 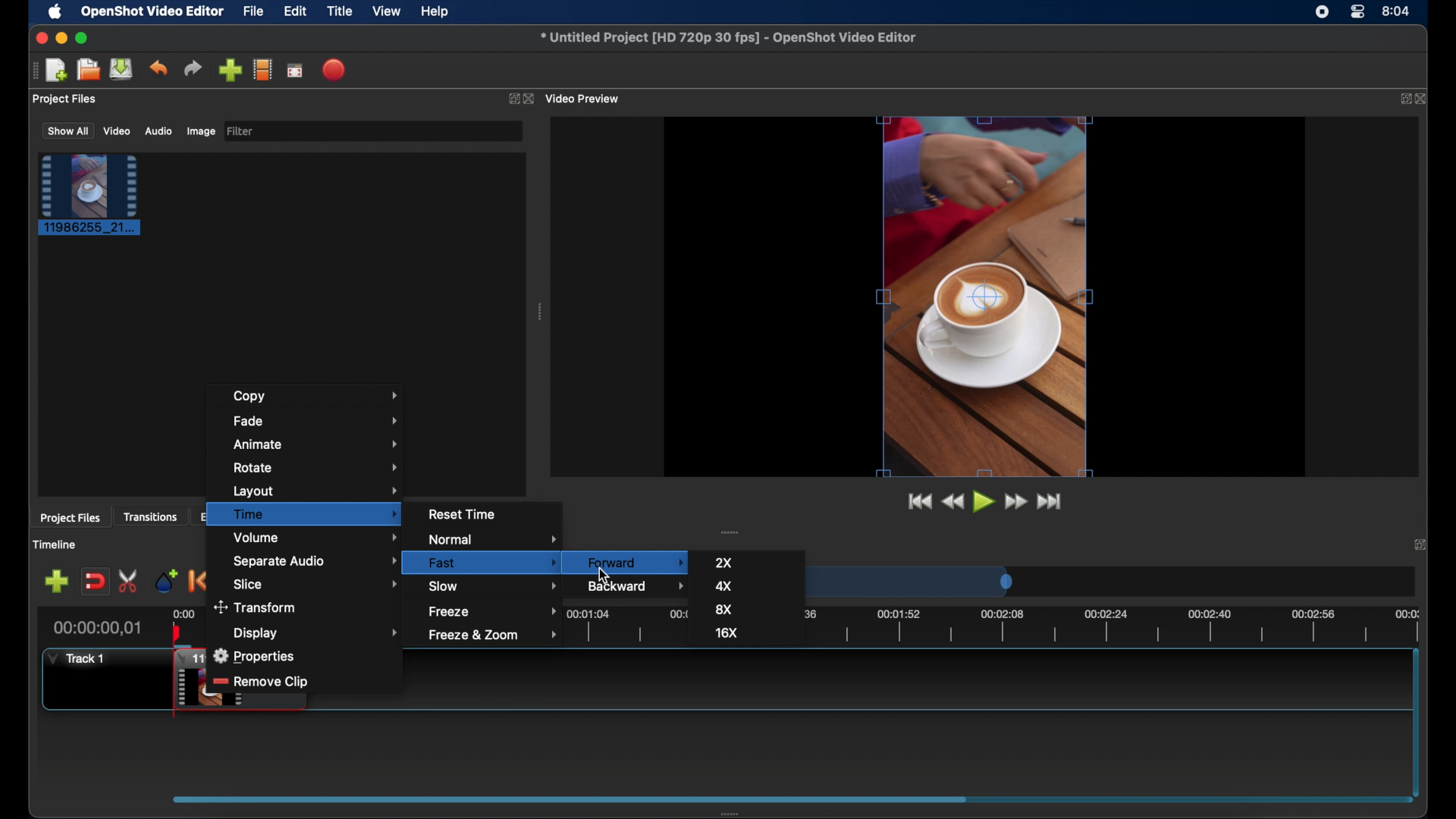 What do you see at coordinates (98, 628) in the screenshot?
I see `current time indicator` at bounding box center [98, 628].